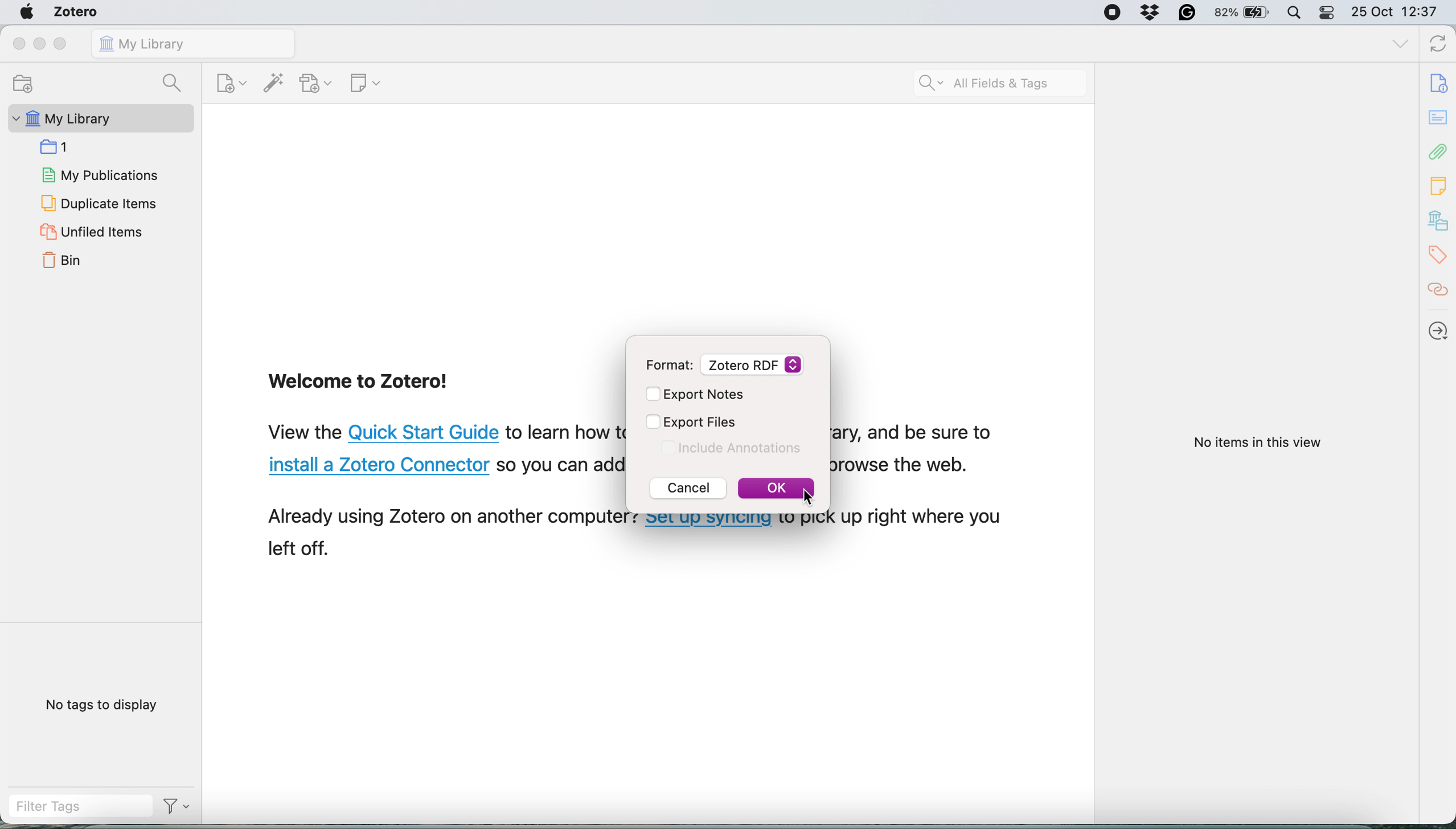 The image size is (1456, 829). Describe the element at coordinates (996, 84) in the screenshot. I see `search all field ads tags` at that location.